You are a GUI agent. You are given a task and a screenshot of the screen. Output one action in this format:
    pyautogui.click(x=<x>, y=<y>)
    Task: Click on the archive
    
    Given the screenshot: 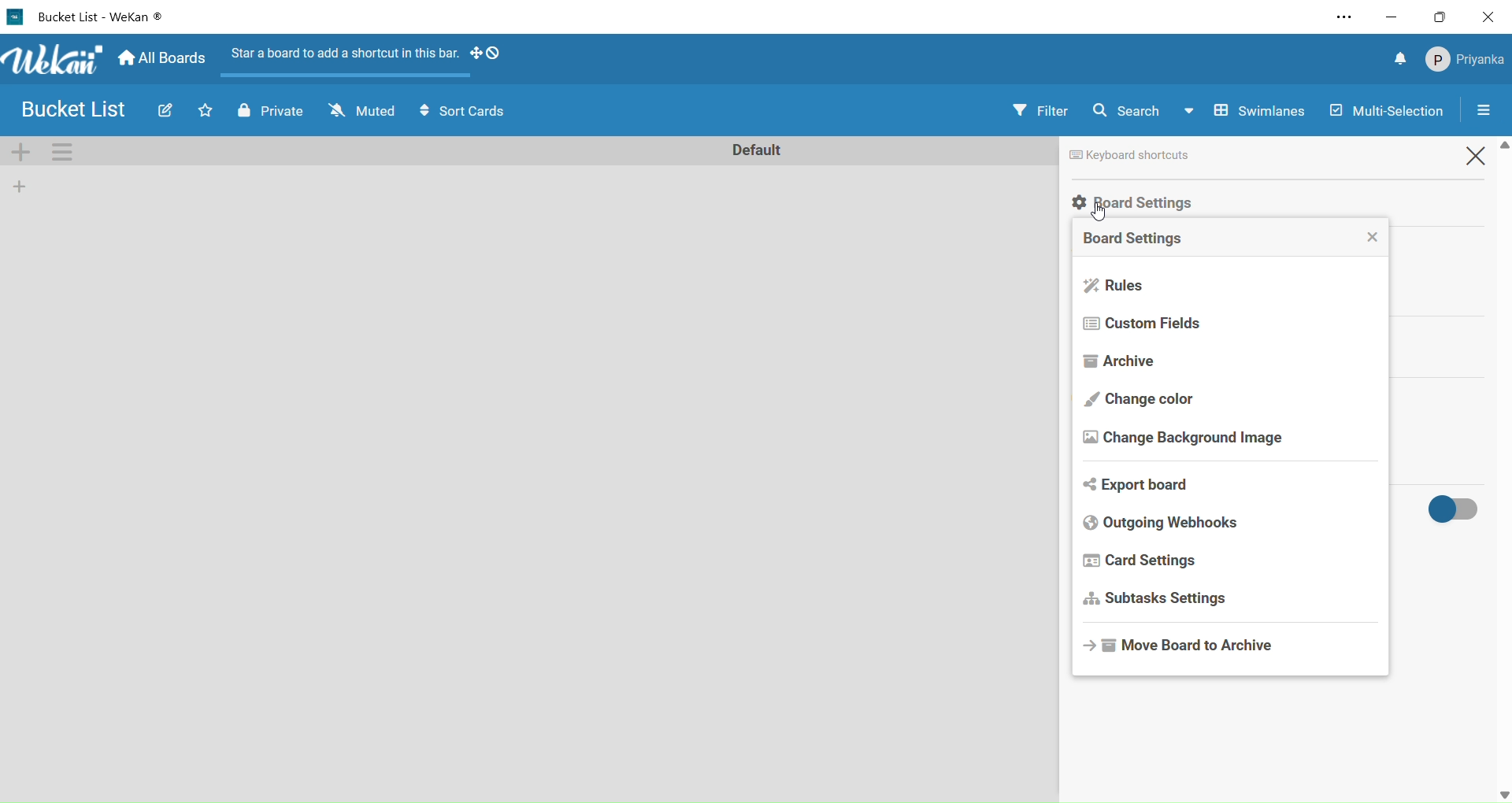 What is the action you would take?
    pyautogui.click(x=1231, y=360)
    